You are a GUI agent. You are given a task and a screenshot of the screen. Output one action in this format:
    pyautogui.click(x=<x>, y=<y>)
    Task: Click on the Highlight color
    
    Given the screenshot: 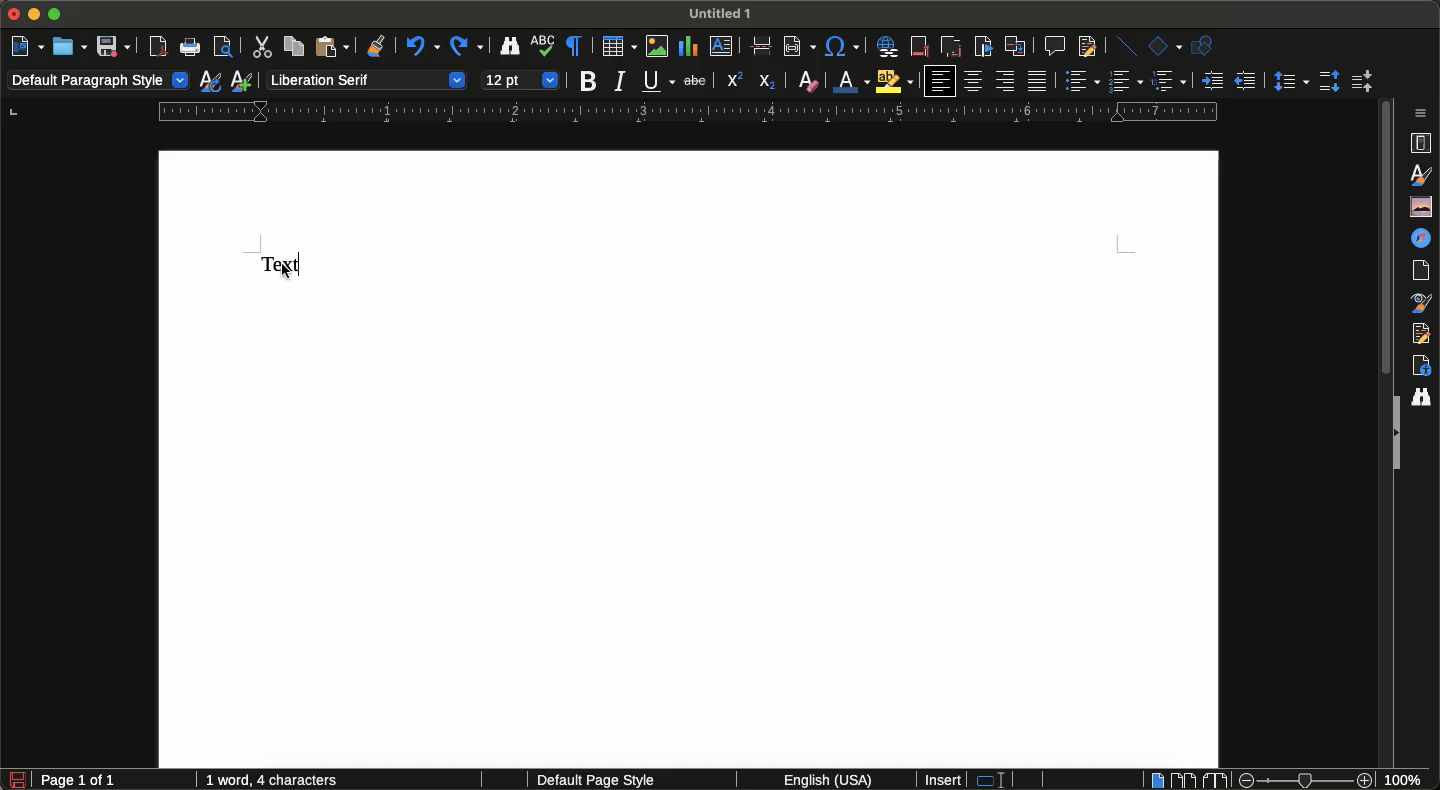 What is the action you would take?
    pyautogui.click(x=896, y=81)
    